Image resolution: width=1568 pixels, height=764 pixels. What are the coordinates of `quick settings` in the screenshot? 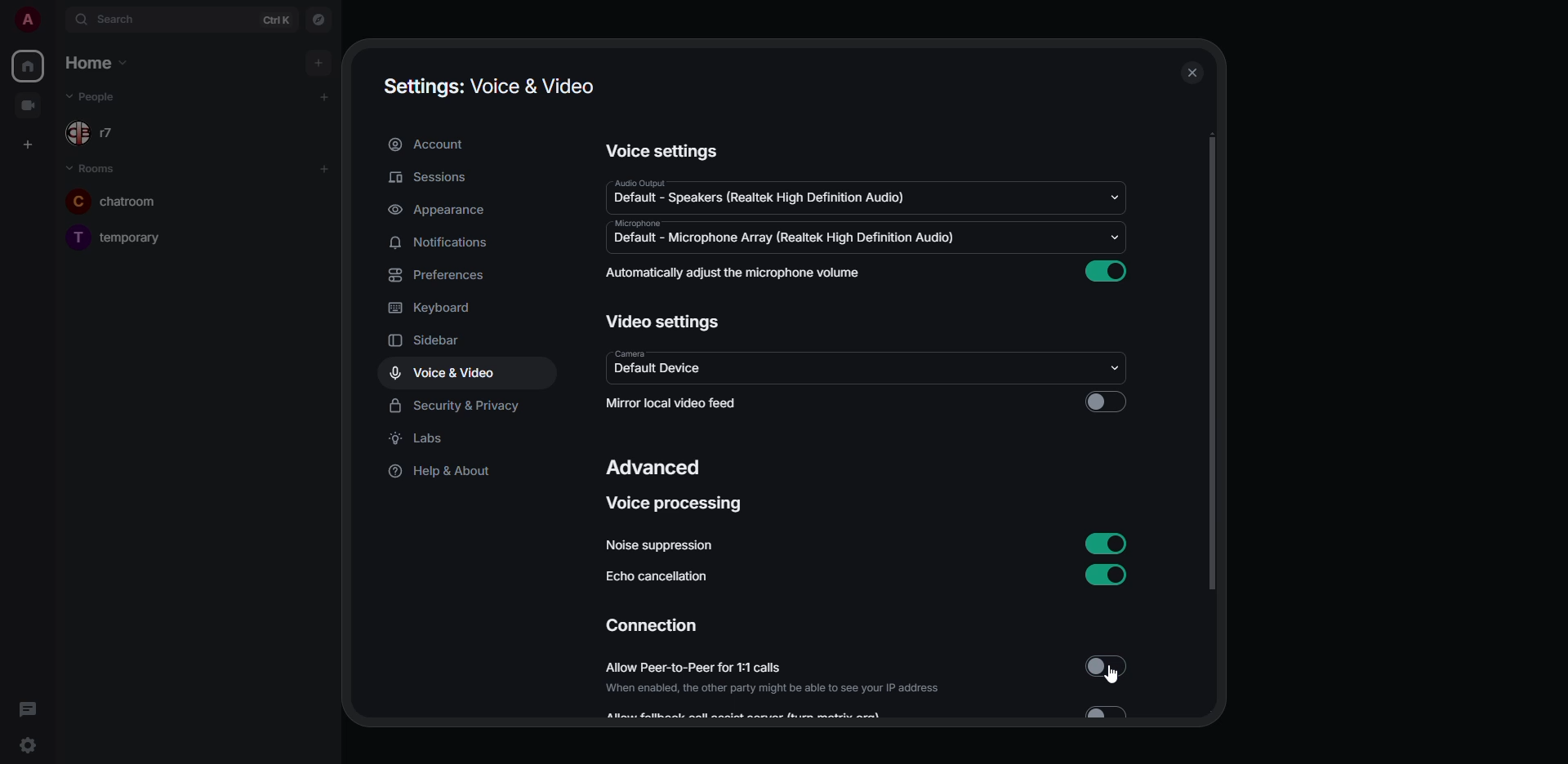 It's located at (32, 747).